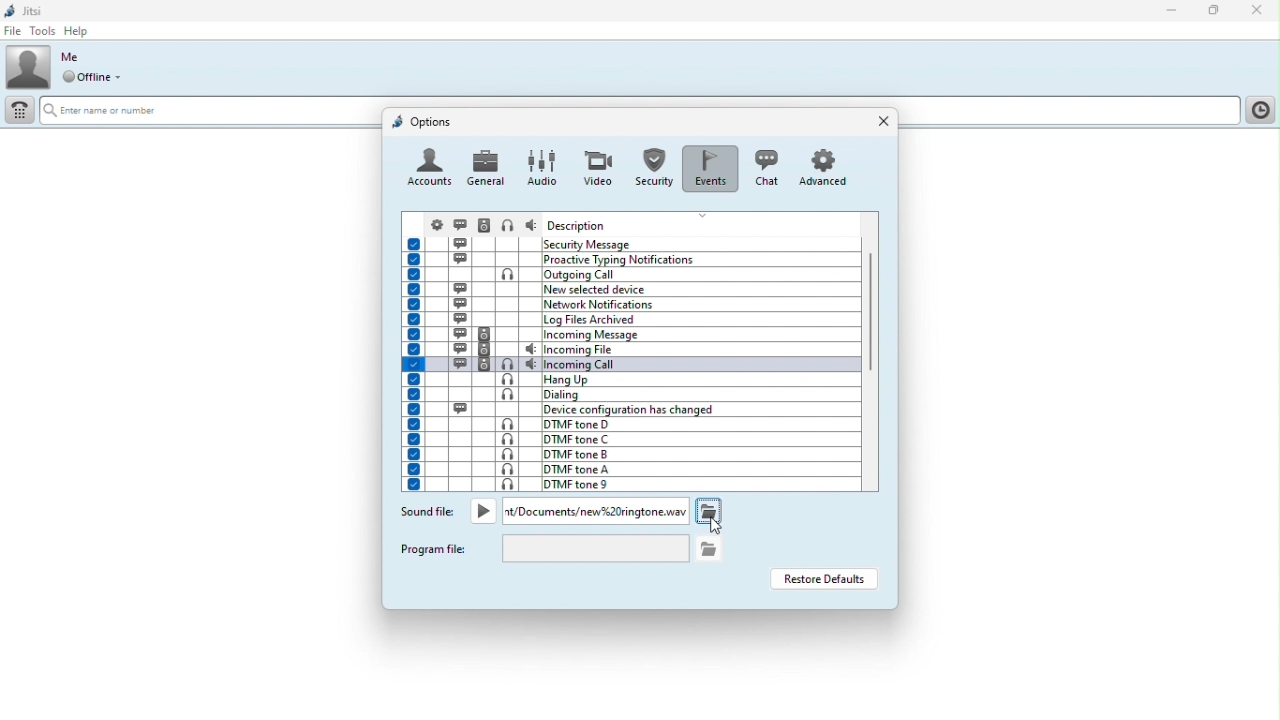 The height and width of the screenshot is (720, 1280). Describe the element at coordinates (629, 364) in the screenshot. I see `incoming call` at that location.